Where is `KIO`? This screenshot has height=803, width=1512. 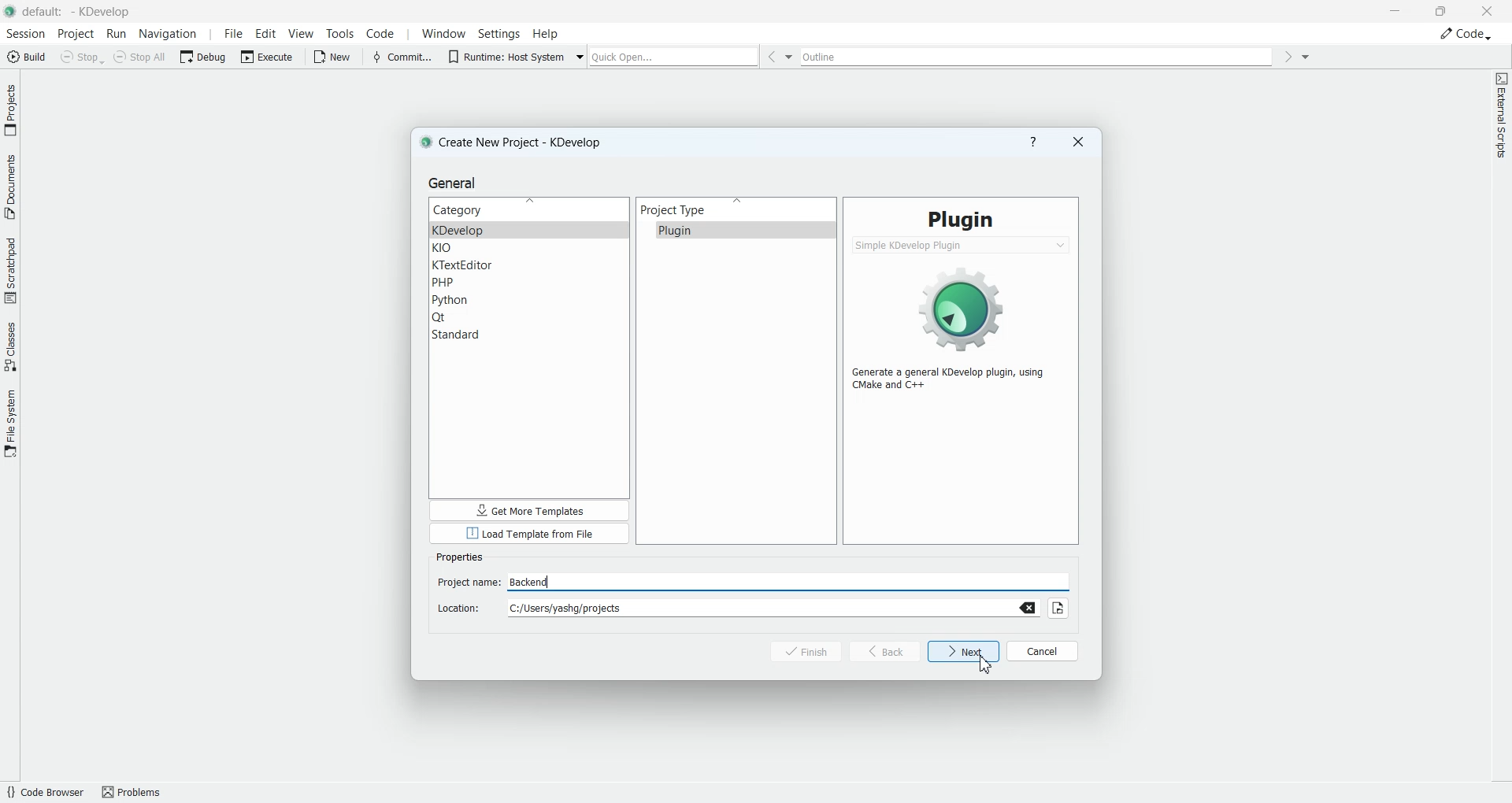 KIO is located at coordinates (529, 249).